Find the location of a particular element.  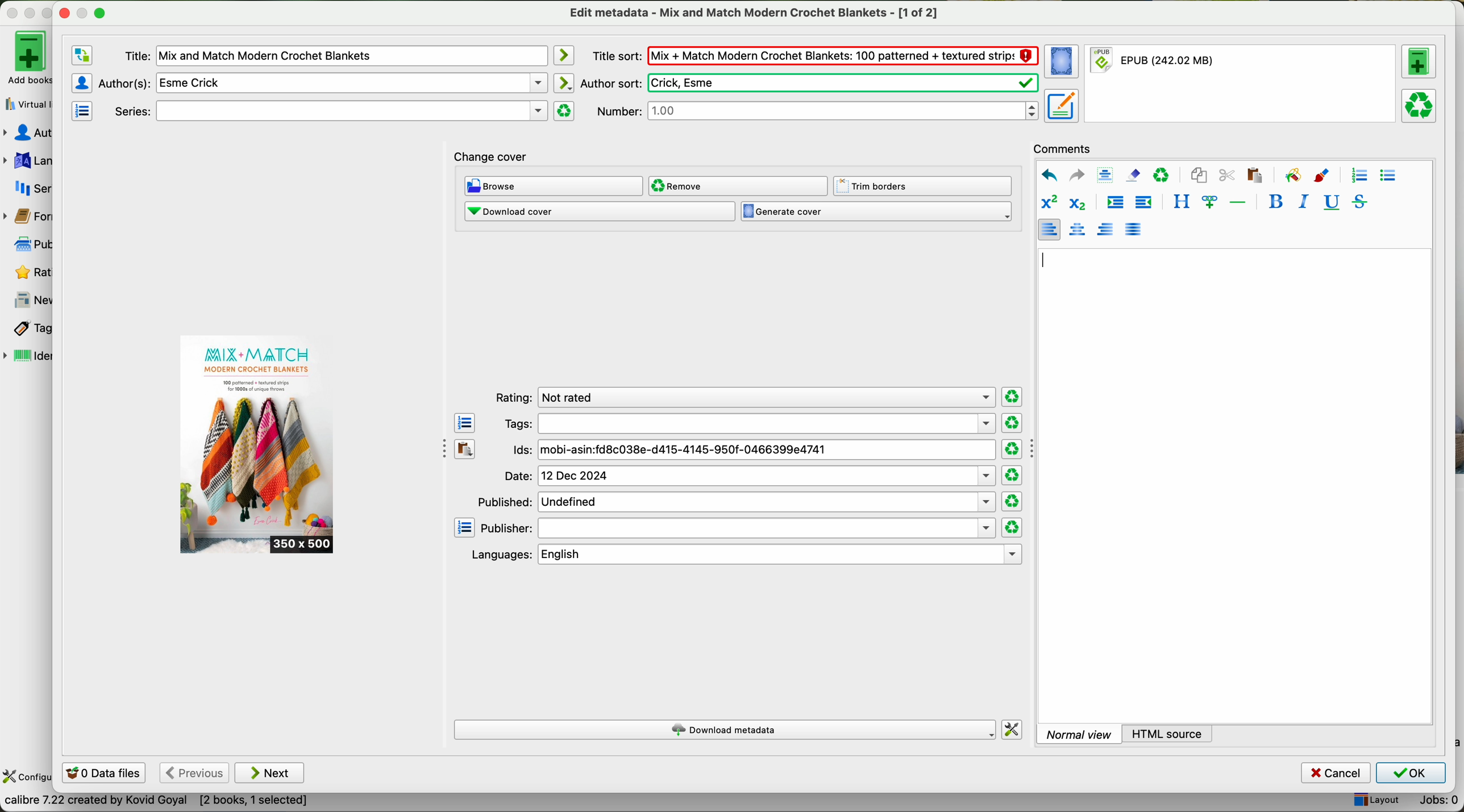

author sort is located at coordinates (808, 83).